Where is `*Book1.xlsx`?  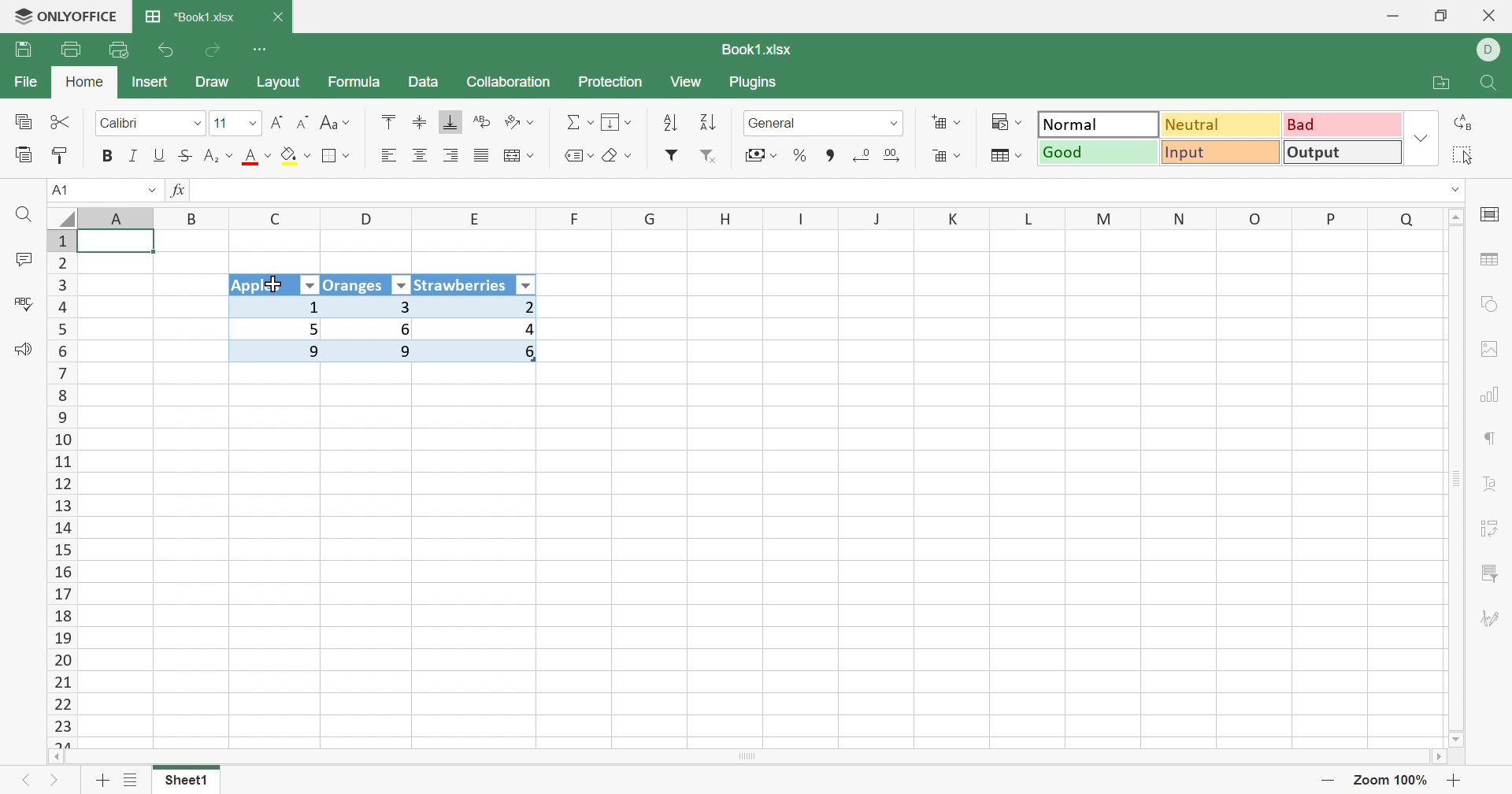 *Book1.xlsx is located at coordinates (190, 18).